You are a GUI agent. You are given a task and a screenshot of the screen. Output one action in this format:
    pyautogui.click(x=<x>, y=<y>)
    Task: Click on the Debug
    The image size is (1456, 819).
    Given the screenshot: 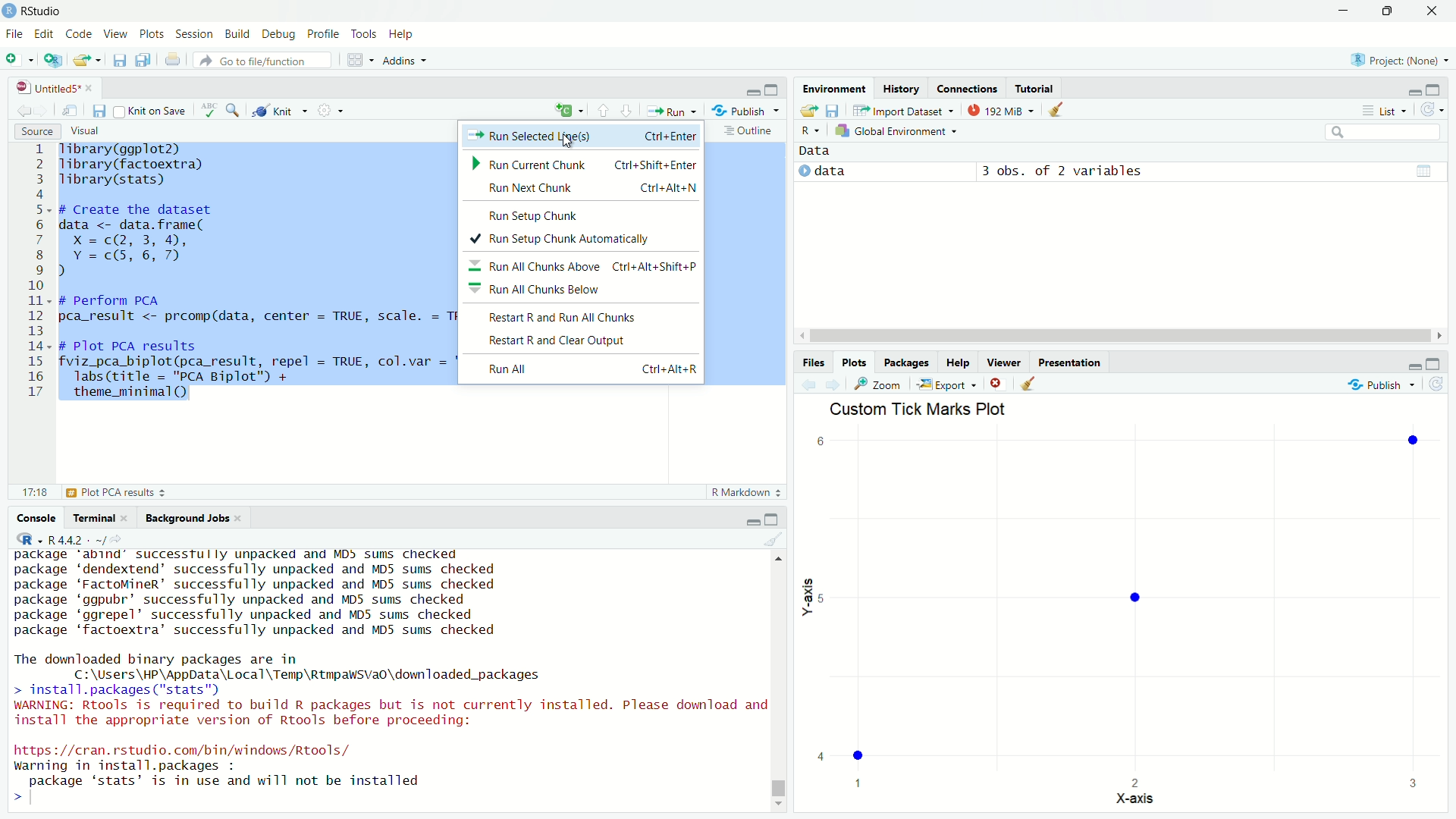 What is the action you would take?
    pyautogui.click(x=280, y=35)
    